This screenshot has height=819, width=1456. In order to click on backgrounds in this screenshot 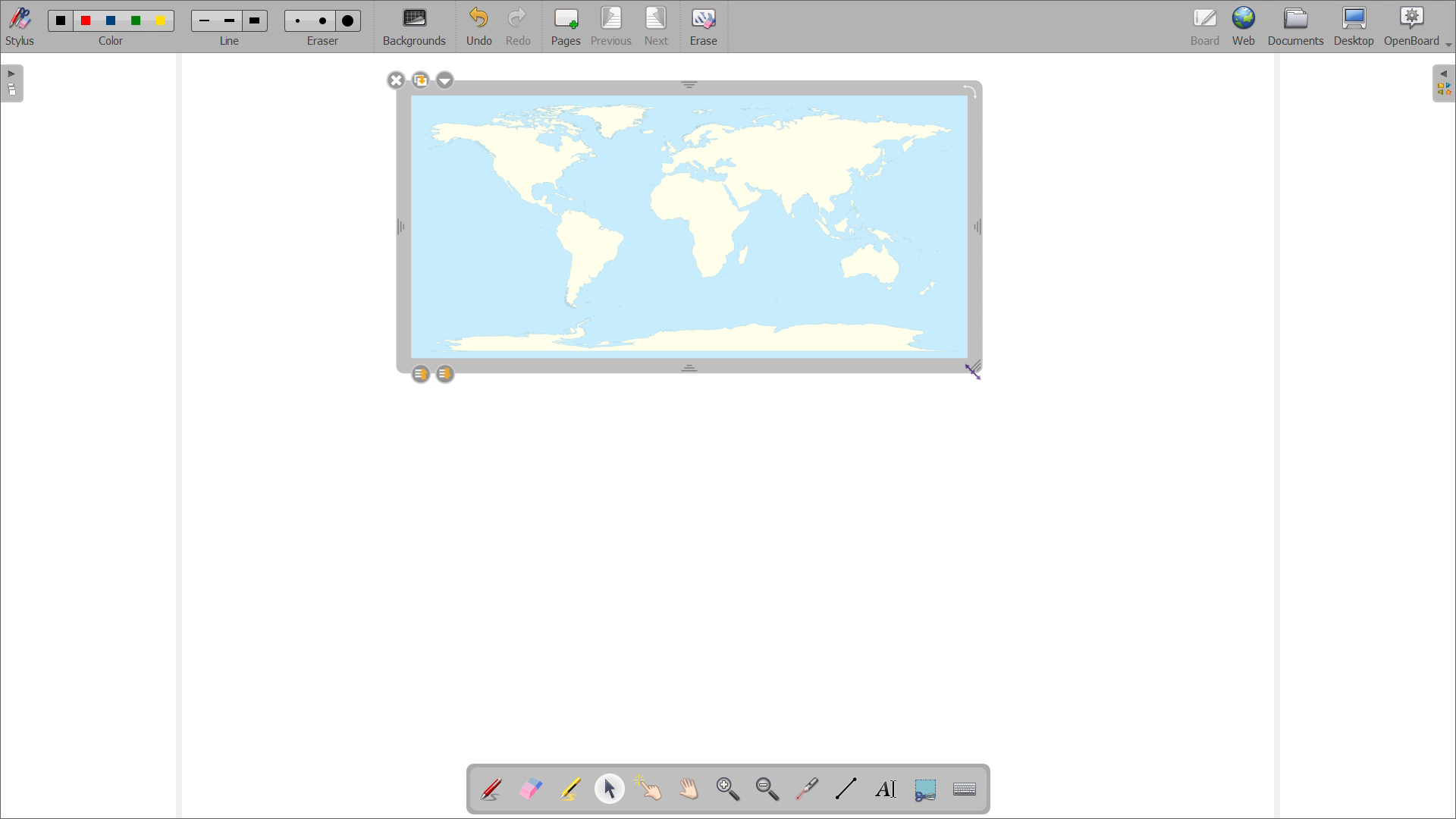, I will do `click(415, 27)`.